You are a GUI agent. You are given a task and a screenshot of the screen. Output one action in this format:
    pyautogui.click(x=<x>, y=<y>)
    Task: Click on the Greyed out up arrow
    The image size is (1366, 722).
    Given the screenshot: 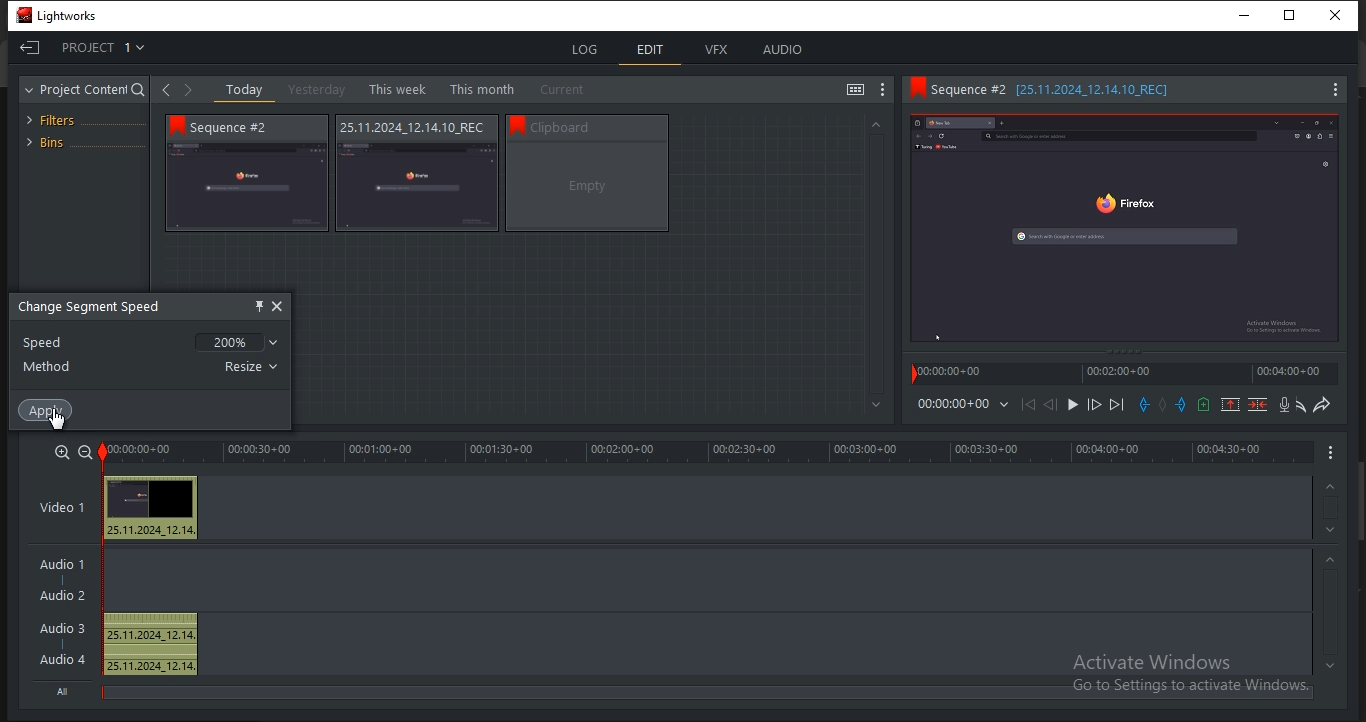 What is the action you would take?
    pyautogui.click(x=883, y=125)
    